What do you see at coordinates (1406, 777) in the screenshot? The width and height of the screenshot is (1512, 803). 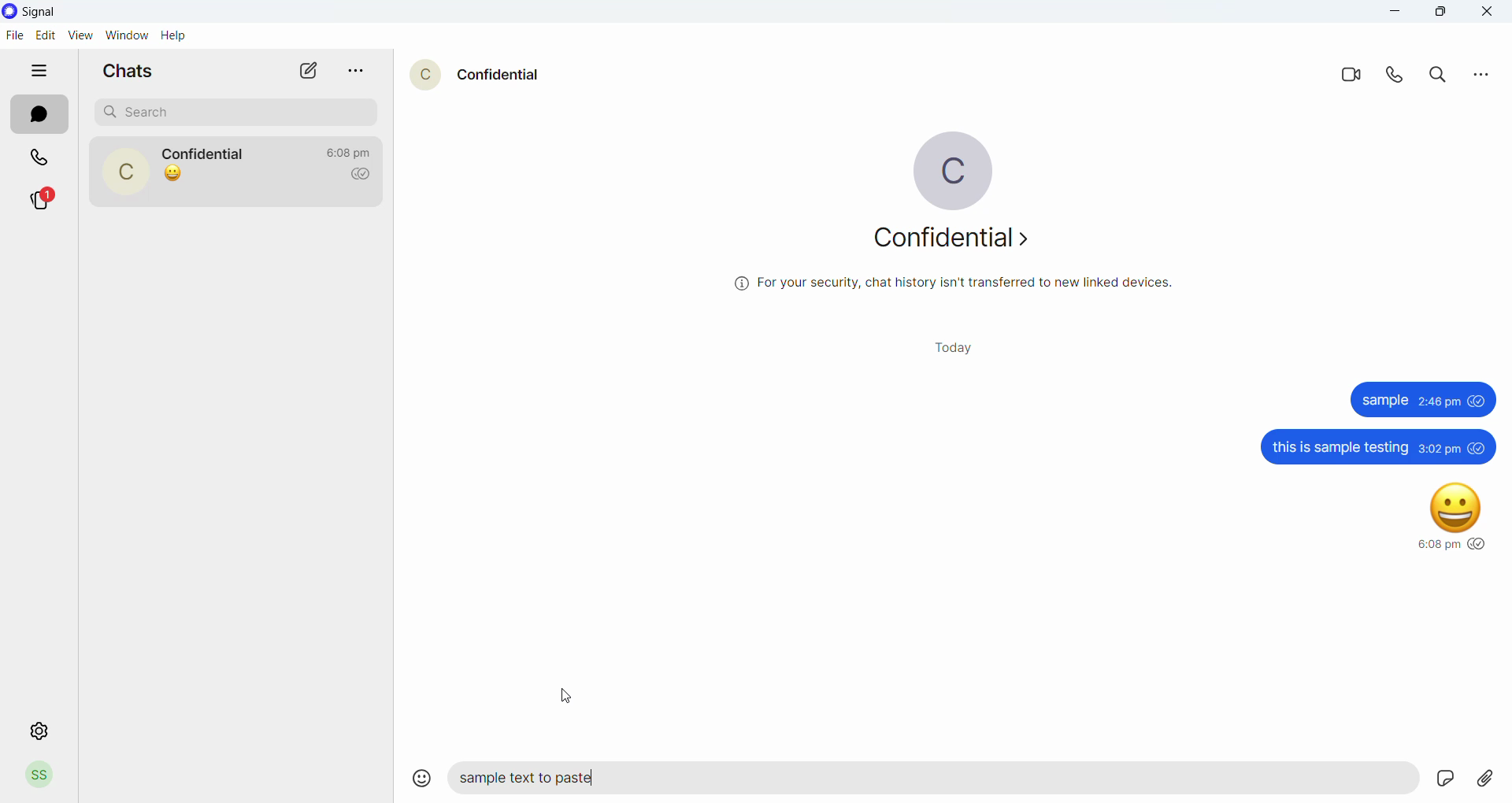 I see `sticker` at bounding box center [1406, 777].